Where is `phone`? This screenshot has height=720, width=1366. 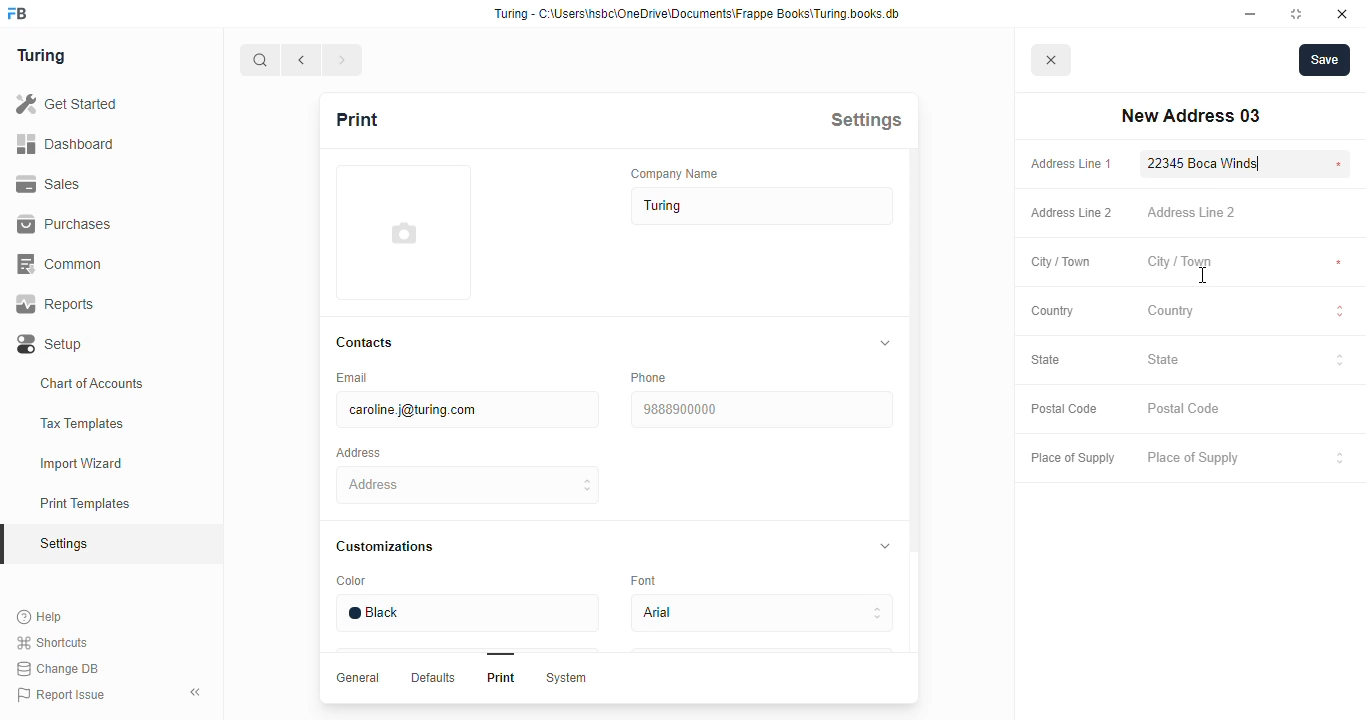 phone is located at coordinates (648, 377).